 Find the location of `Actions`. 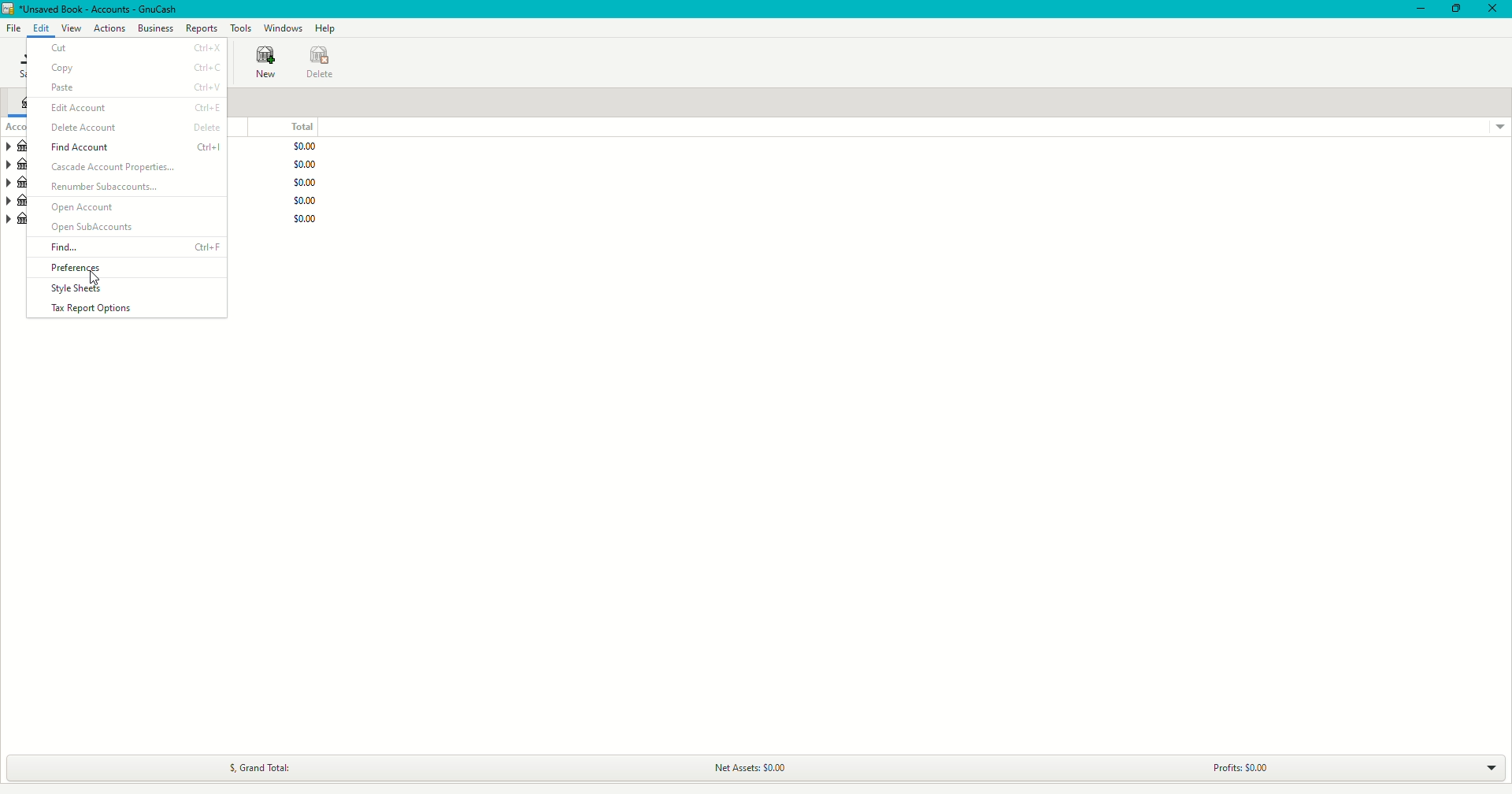

Actions is located at coordinates (109, 28).